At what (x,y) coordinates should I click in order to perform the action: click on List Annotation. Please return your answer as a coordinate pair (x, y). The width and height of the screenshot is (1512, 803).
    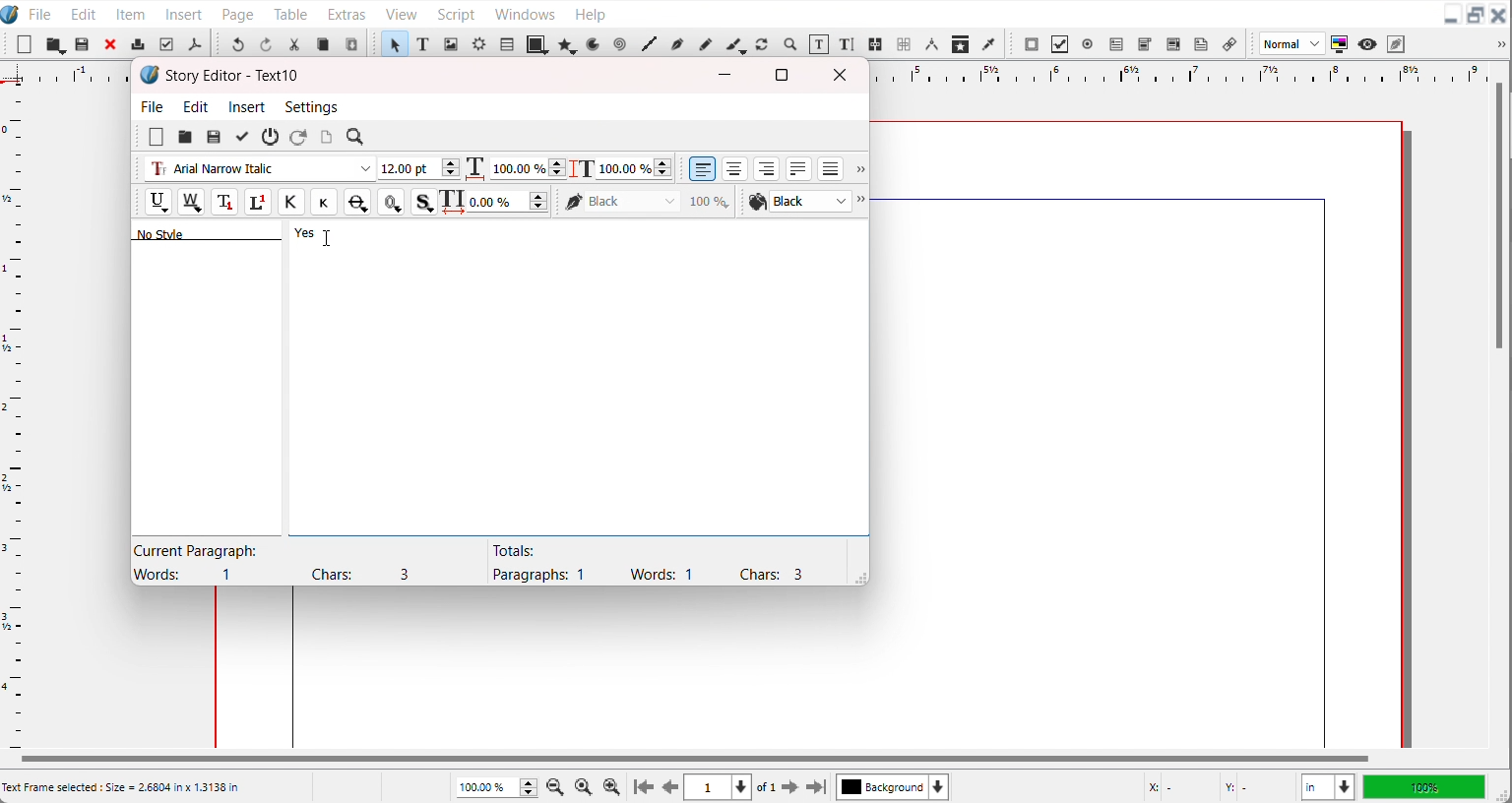
    Looking at the image, I should click on (1228, 43).